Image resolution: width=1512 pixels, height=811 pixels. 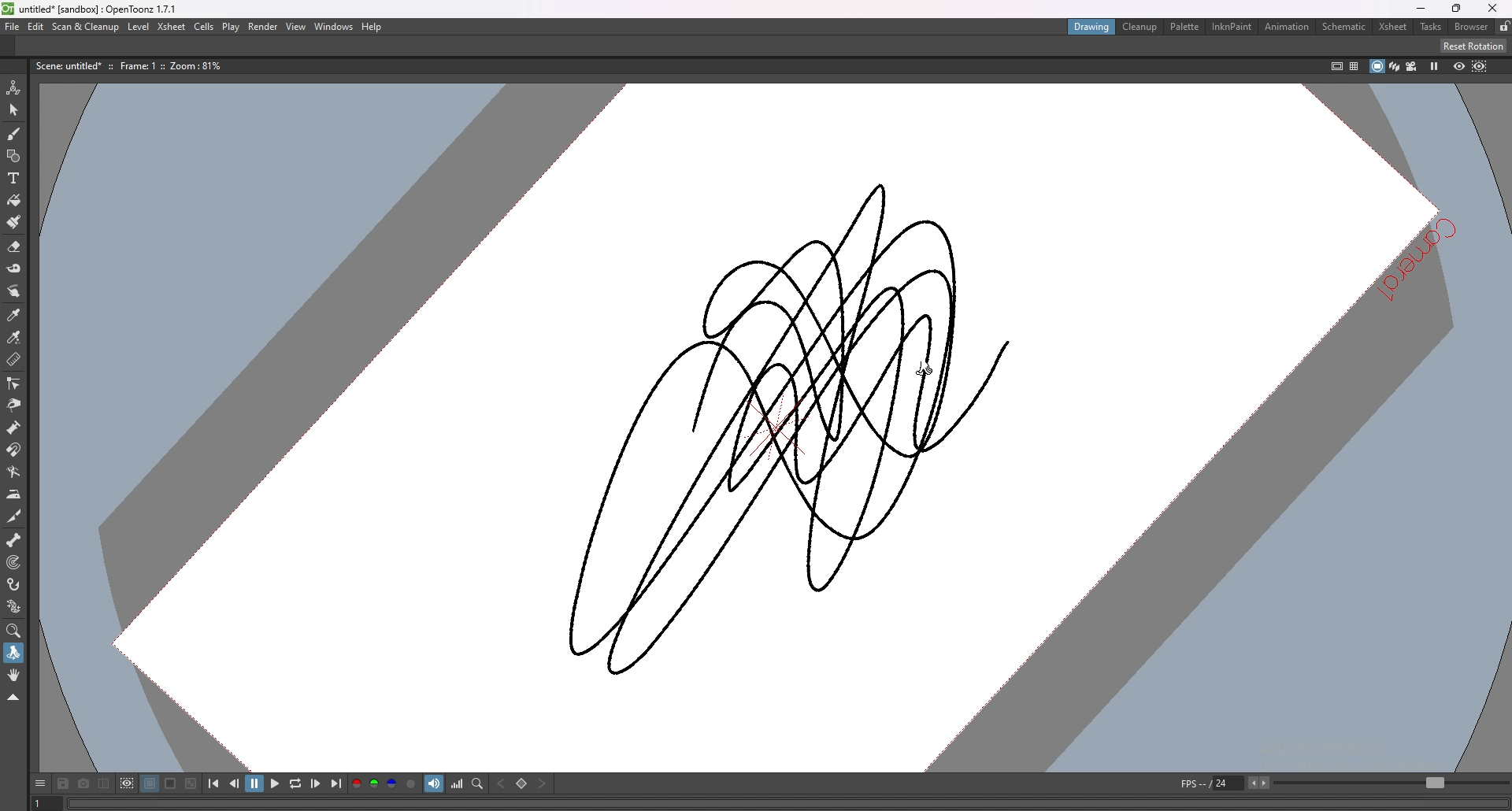 I want to click on paint tool, so click(x=14, y=200).